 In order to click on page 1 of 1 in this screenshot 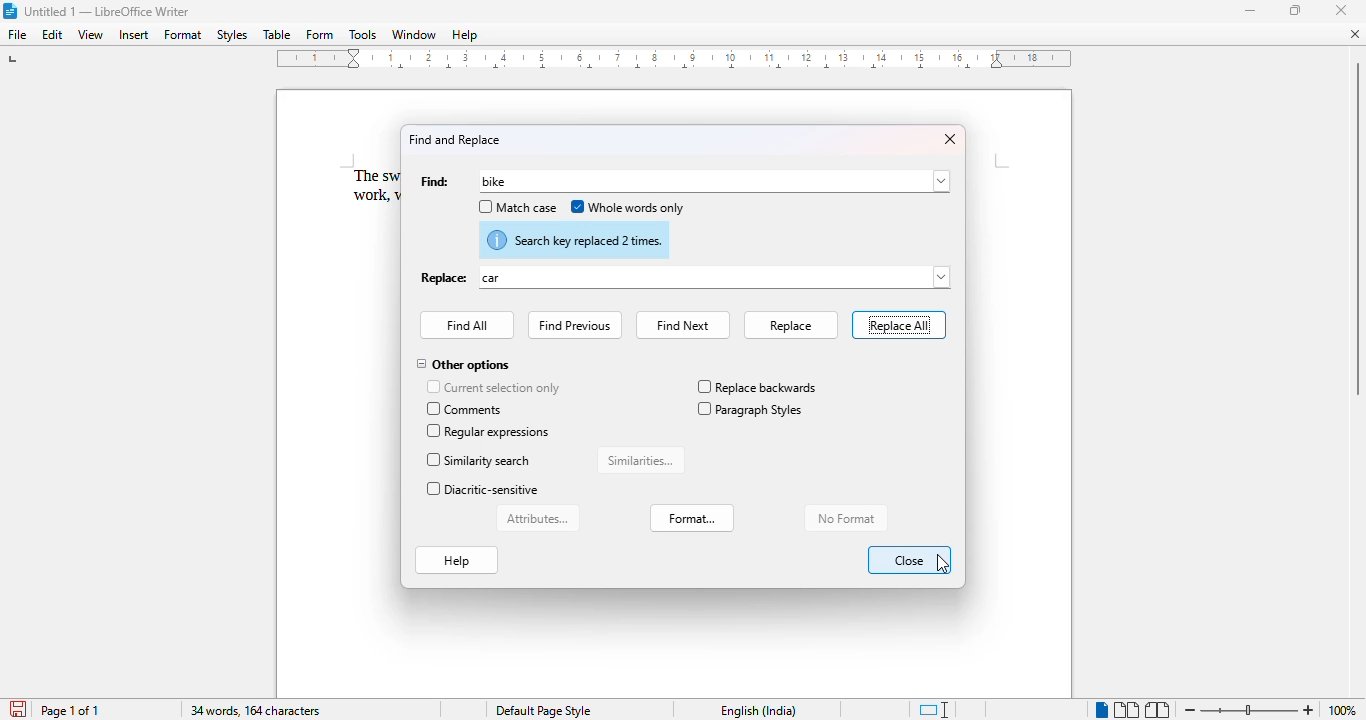, I will do `click(70, 710)`.